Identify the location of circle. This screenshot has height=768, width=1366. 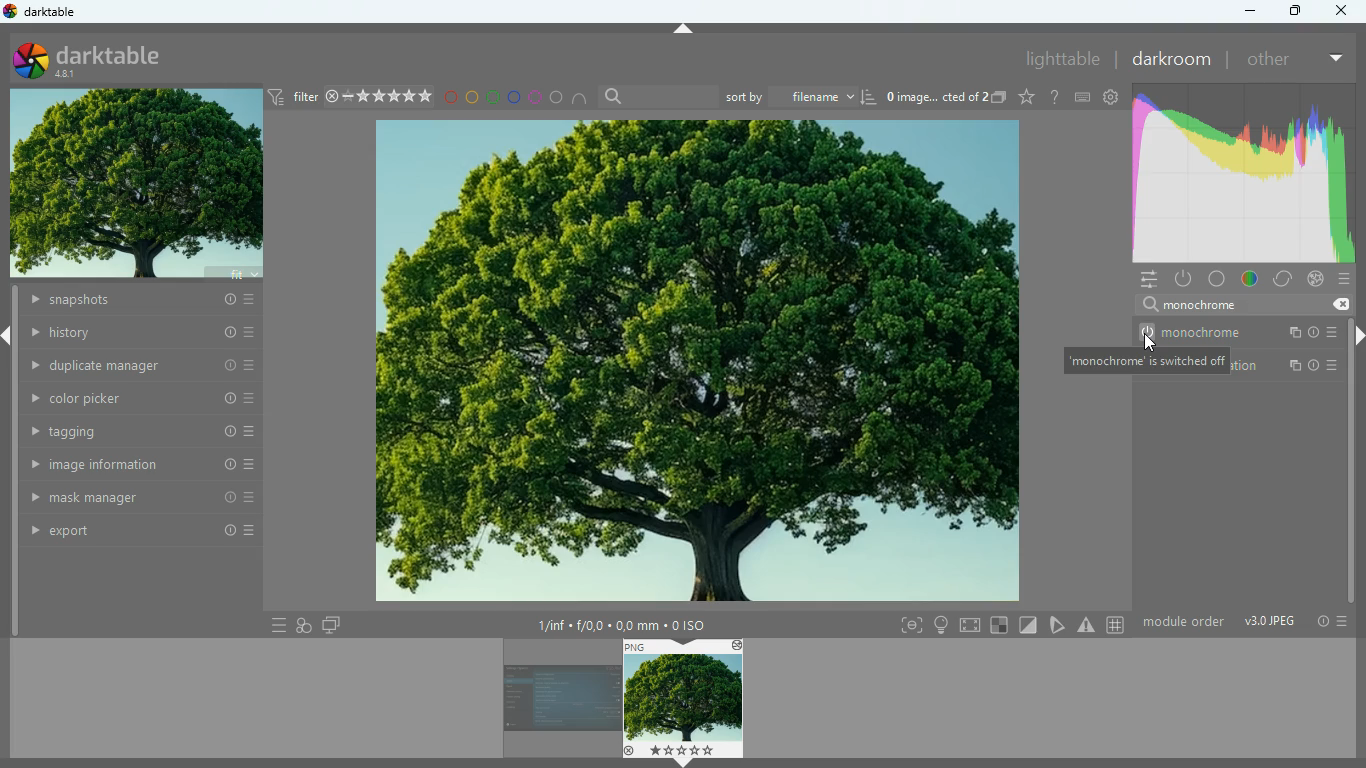
(557, 98).